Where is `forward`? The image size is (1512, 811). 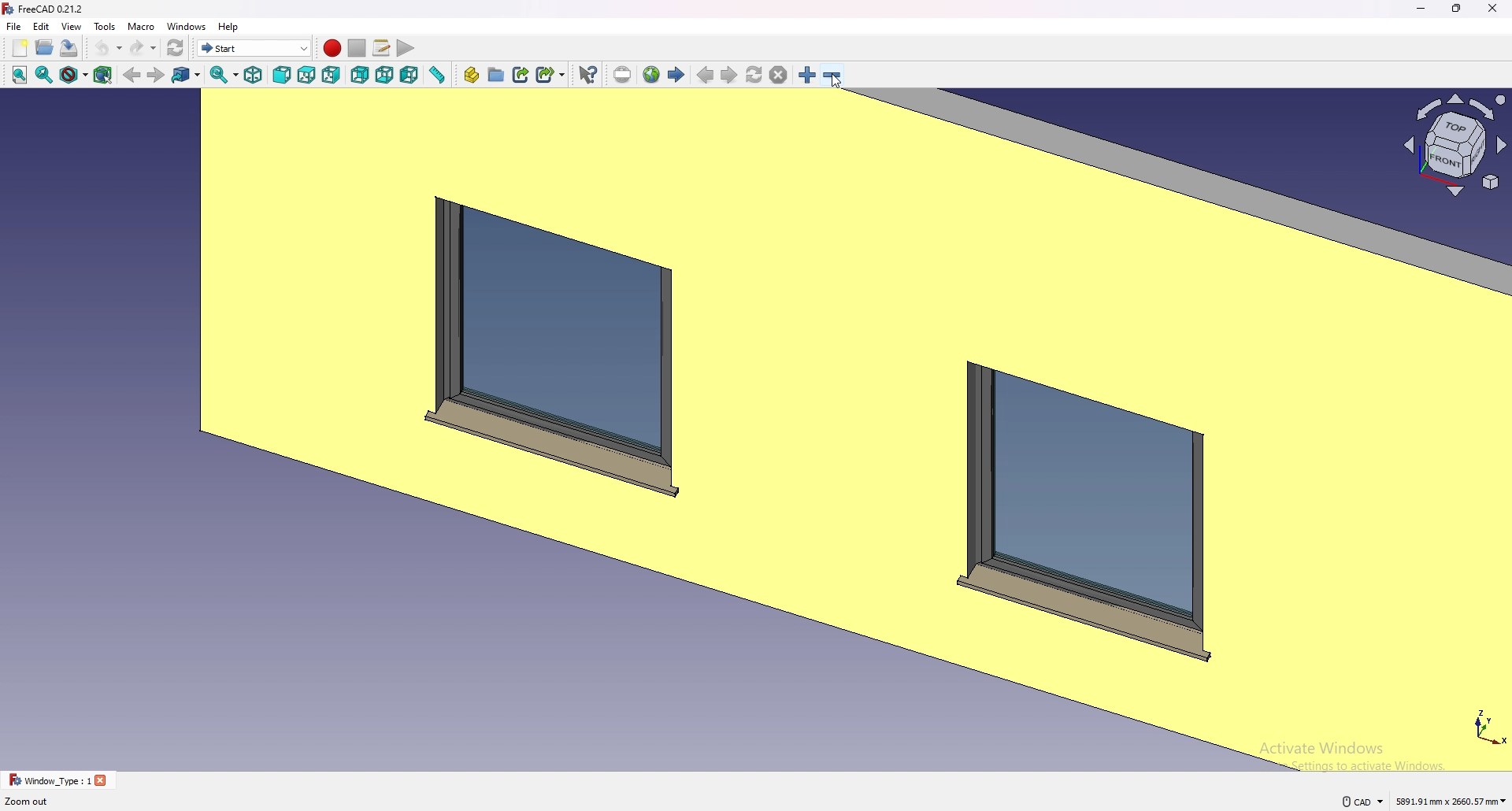 forward is located at coordinates (156, 75).